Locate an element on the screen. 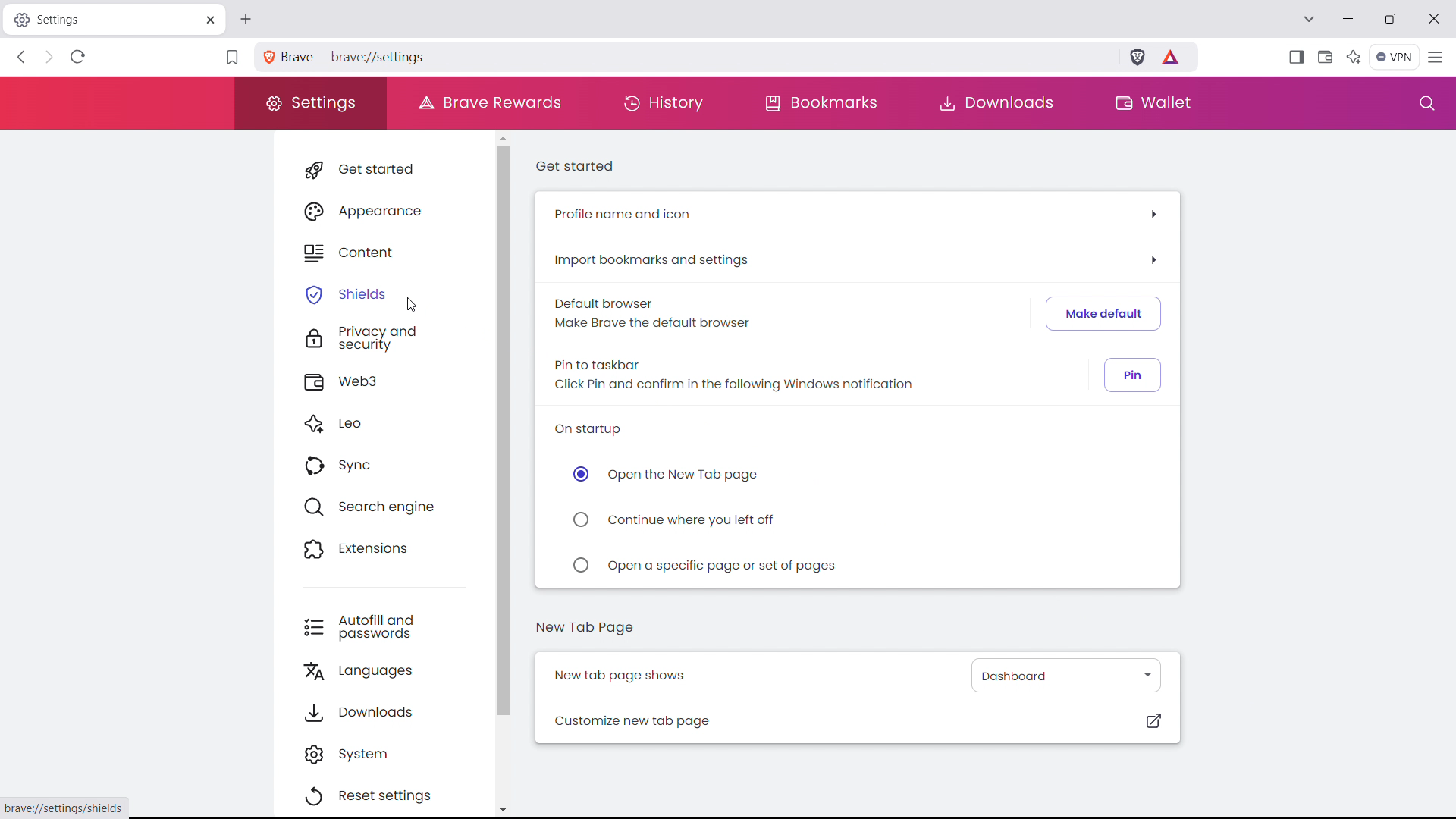  Make Brave the default browser is located at coordinates (650, 324).